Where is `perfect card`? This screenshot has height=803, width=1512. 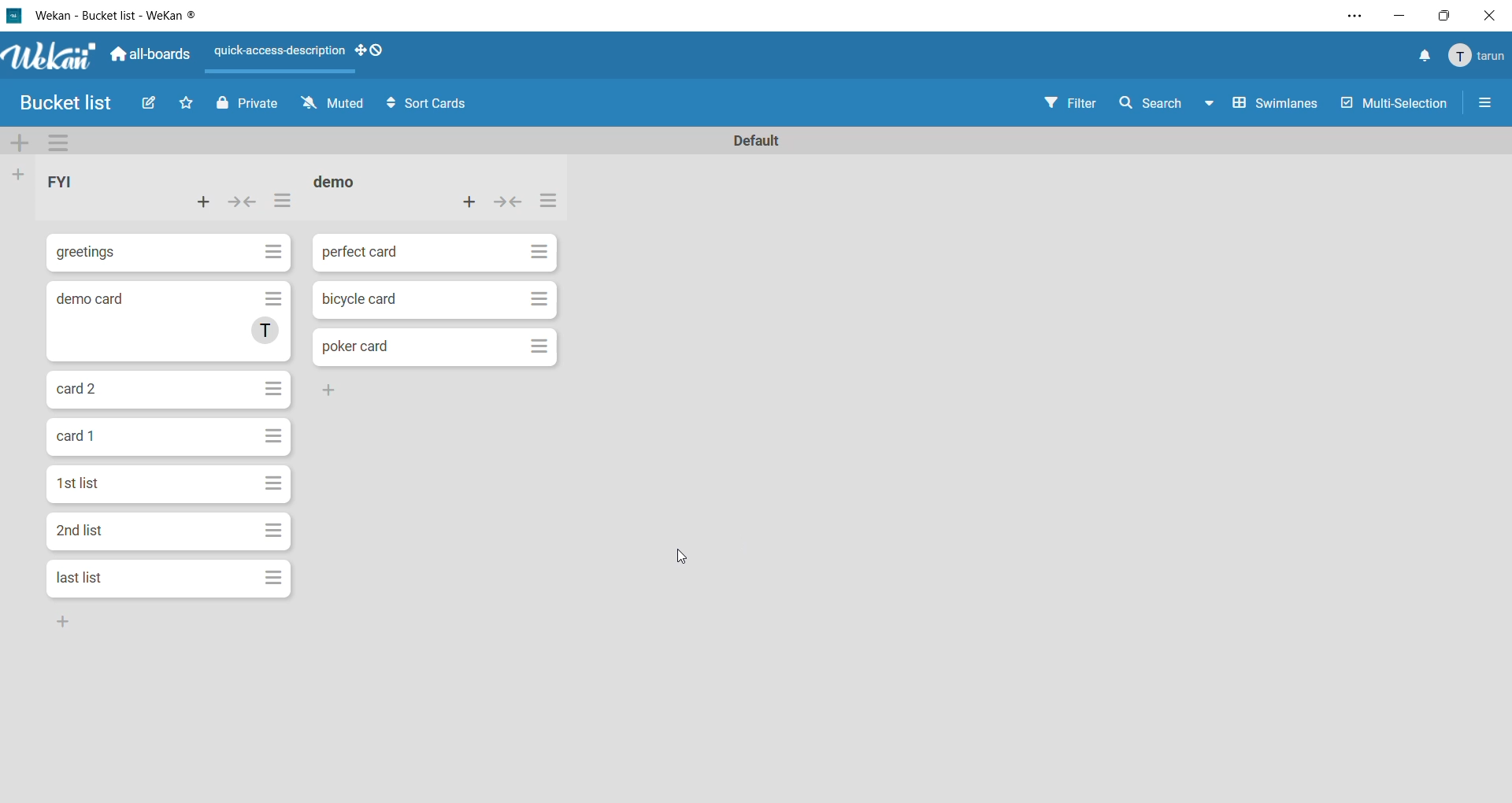
perfect card is located at coordinates (440, 251).